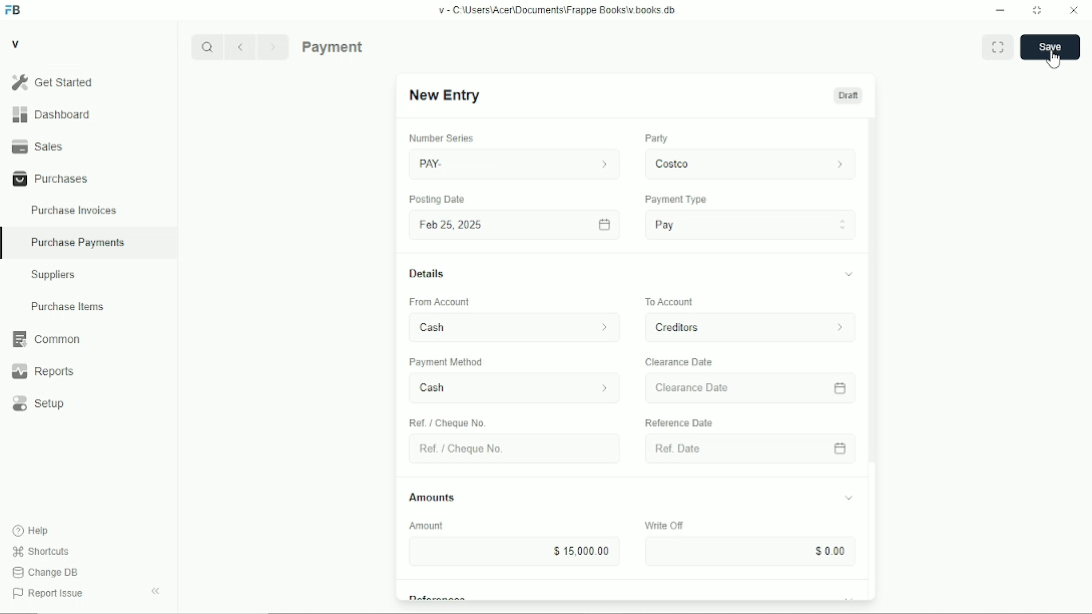 This screenshot has height=614, width=1092. What do you see at coordinates (49, 593) in the screenshot?
I see `Report Issue` at bounding box center [49, 593].